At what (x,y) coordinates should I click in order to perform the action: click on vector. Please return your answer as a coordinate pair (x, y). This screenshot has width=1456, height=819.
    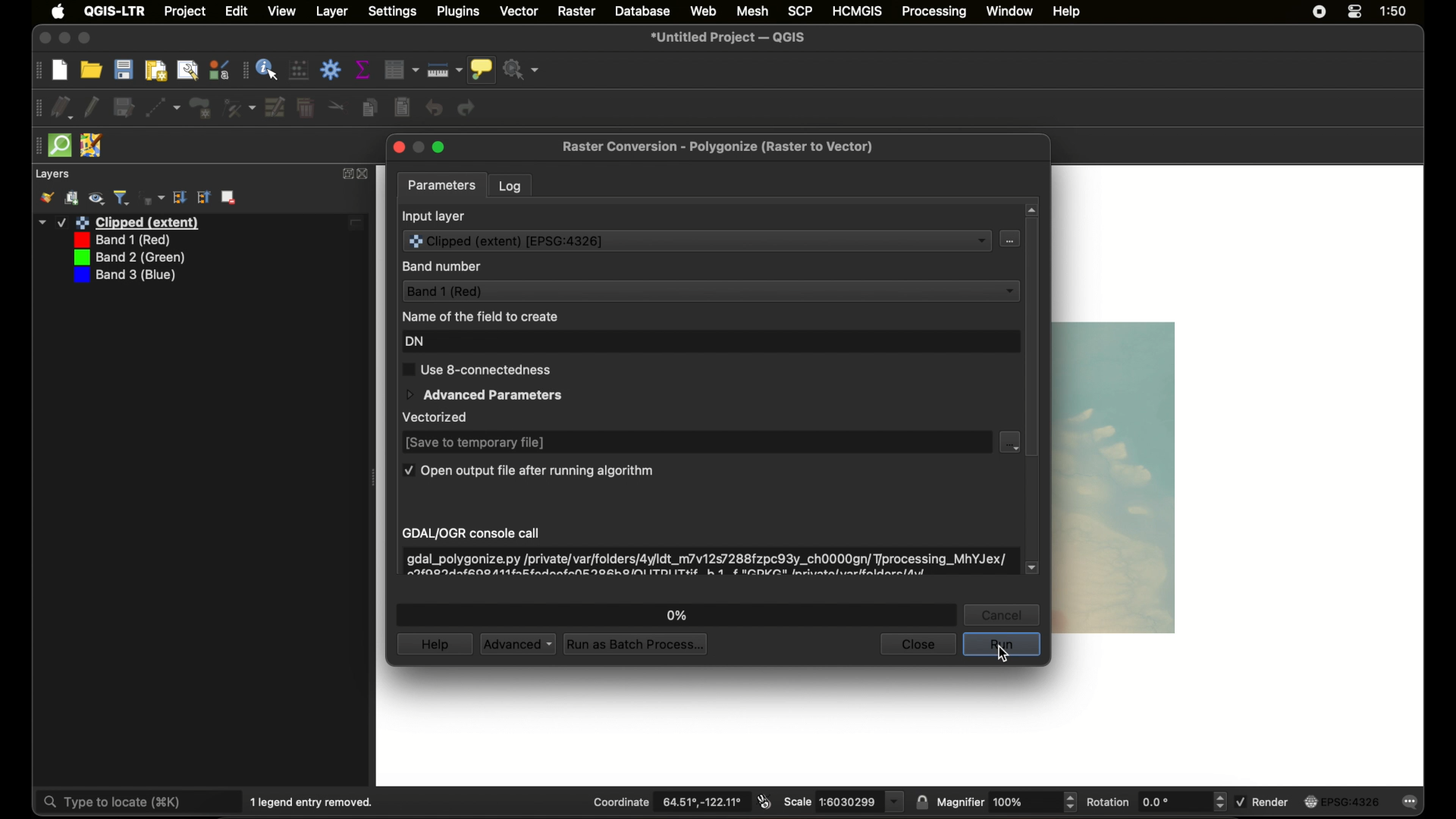
    Looking at the image, I should click on (520, 11).